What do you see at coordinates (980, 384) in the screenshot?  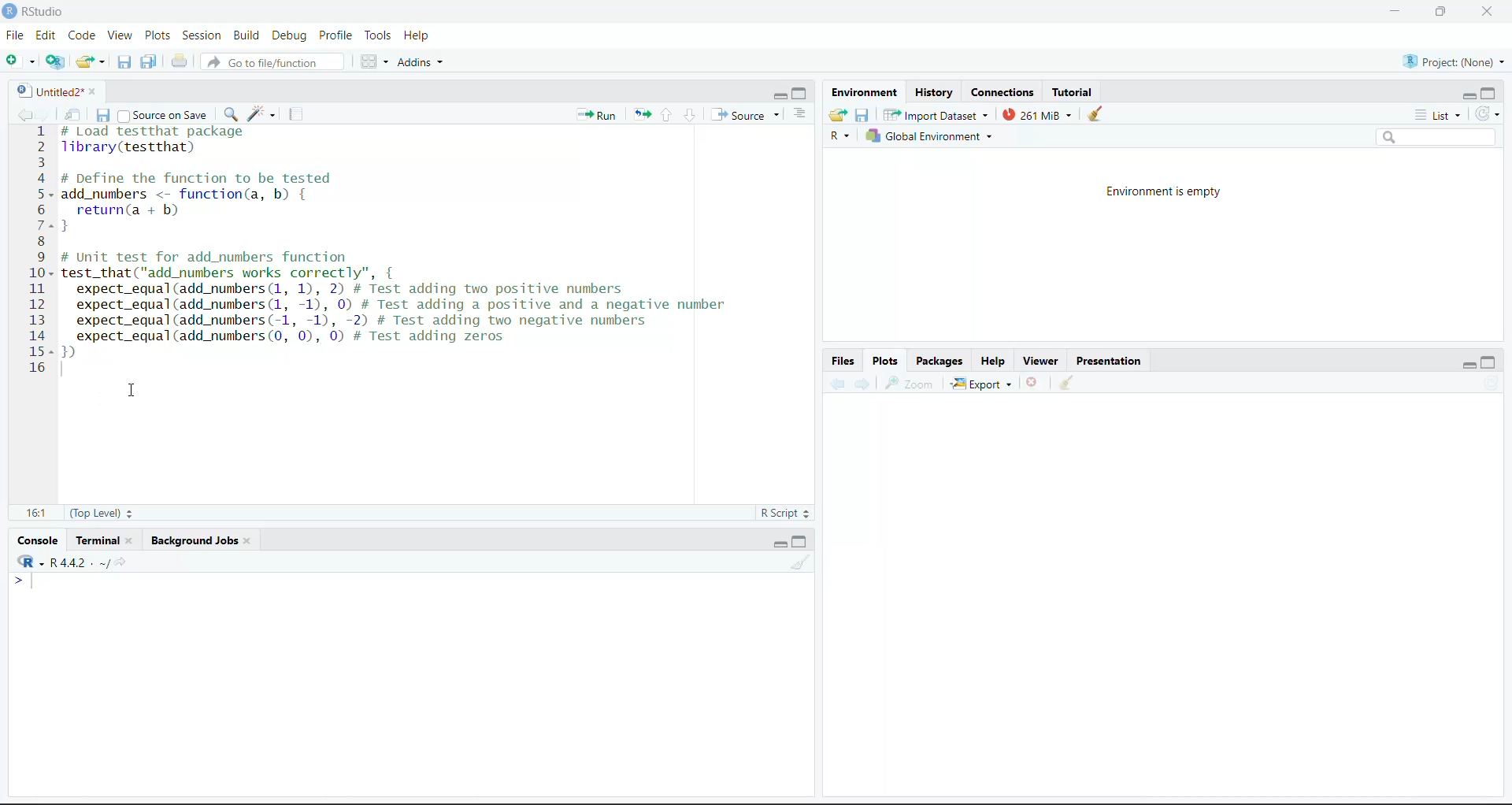 I see `Export` at bounding box center [980, 384].